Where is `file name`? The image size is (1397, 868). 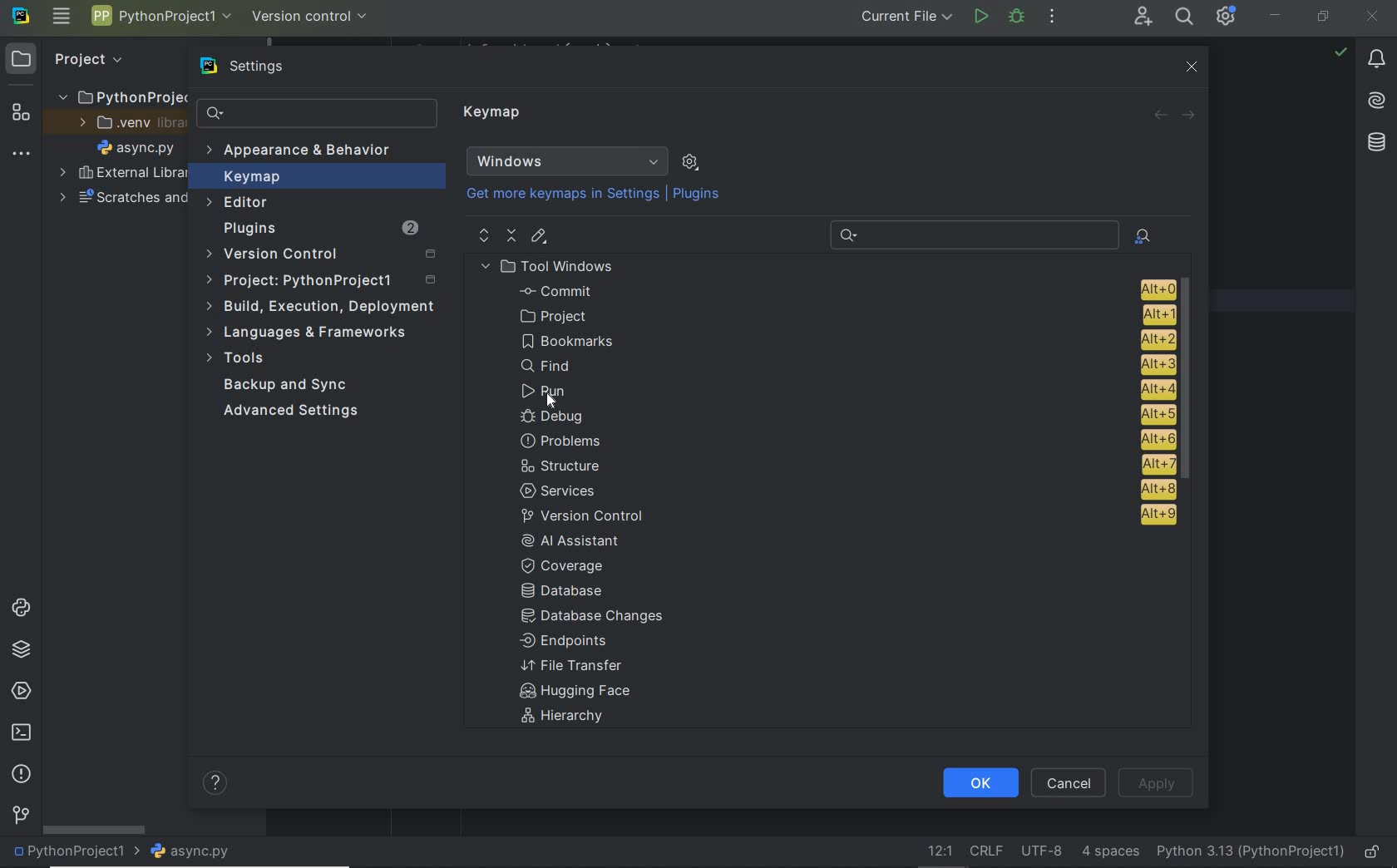
file name is located at coordinates (190, 852).